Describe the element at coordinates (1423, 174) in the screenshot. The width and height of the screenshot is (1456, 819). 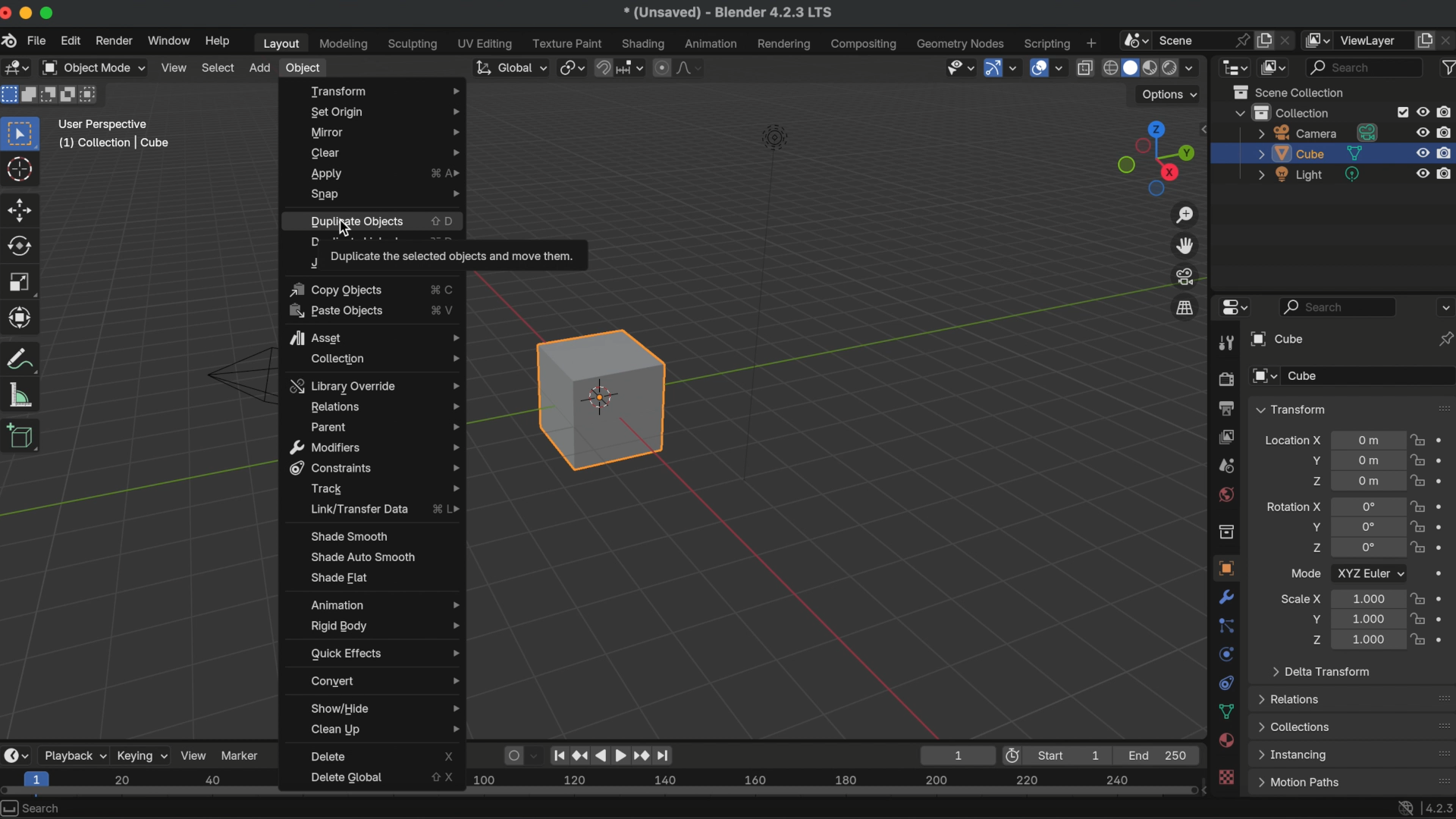
I see `hide in viewport` at that location.